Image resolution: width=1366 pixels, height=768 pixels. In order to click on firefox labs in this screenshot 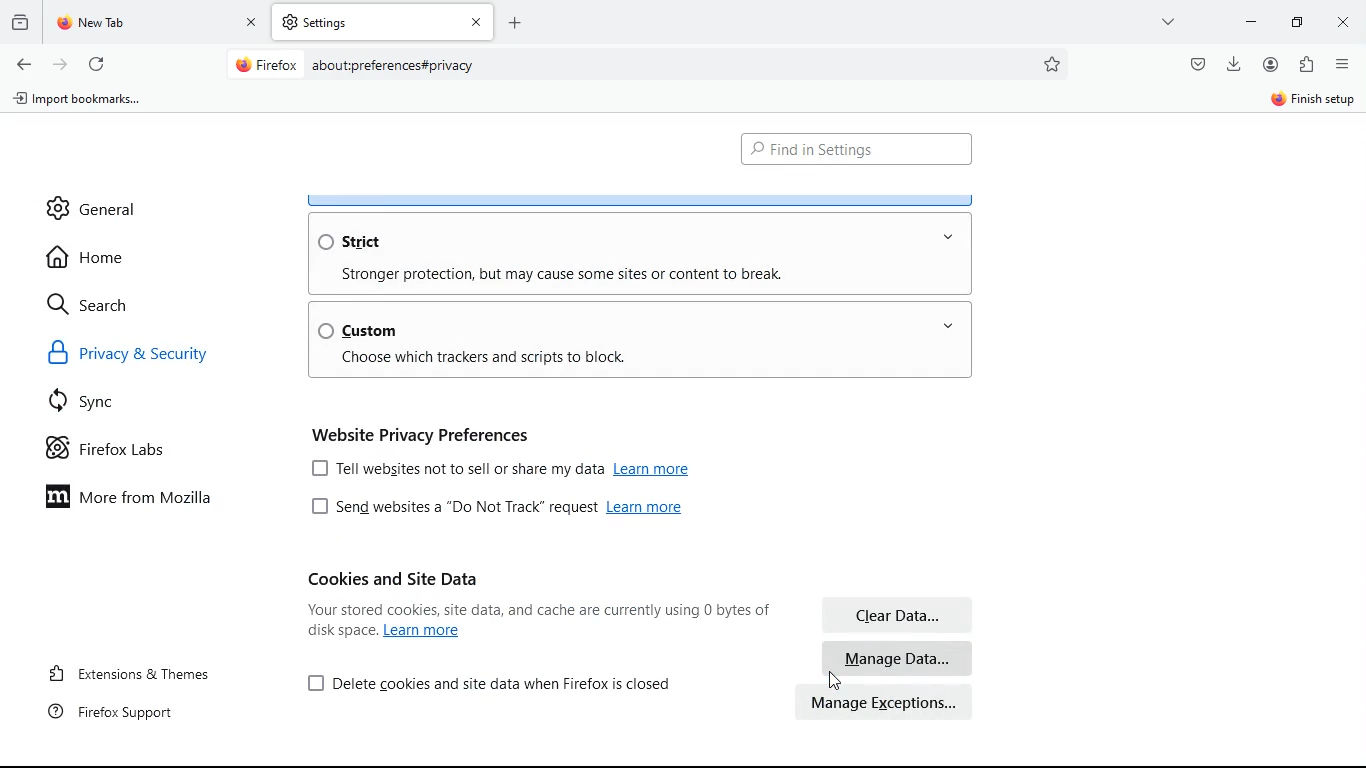, I will do `click(126, 453)`.